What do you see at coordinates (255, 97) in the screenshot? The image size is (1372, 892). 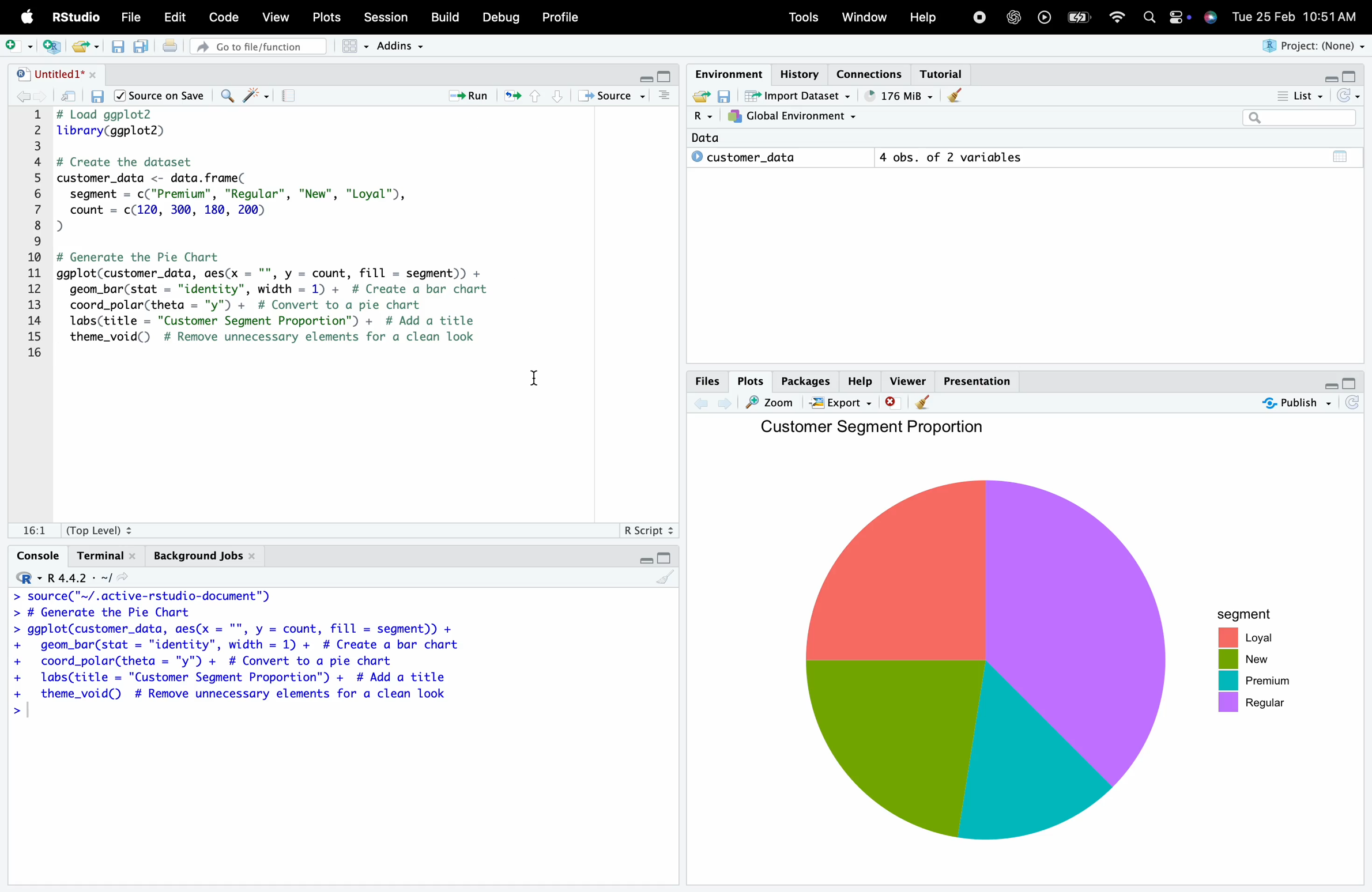 I see `reformat code` at bounding box center [255, 97].